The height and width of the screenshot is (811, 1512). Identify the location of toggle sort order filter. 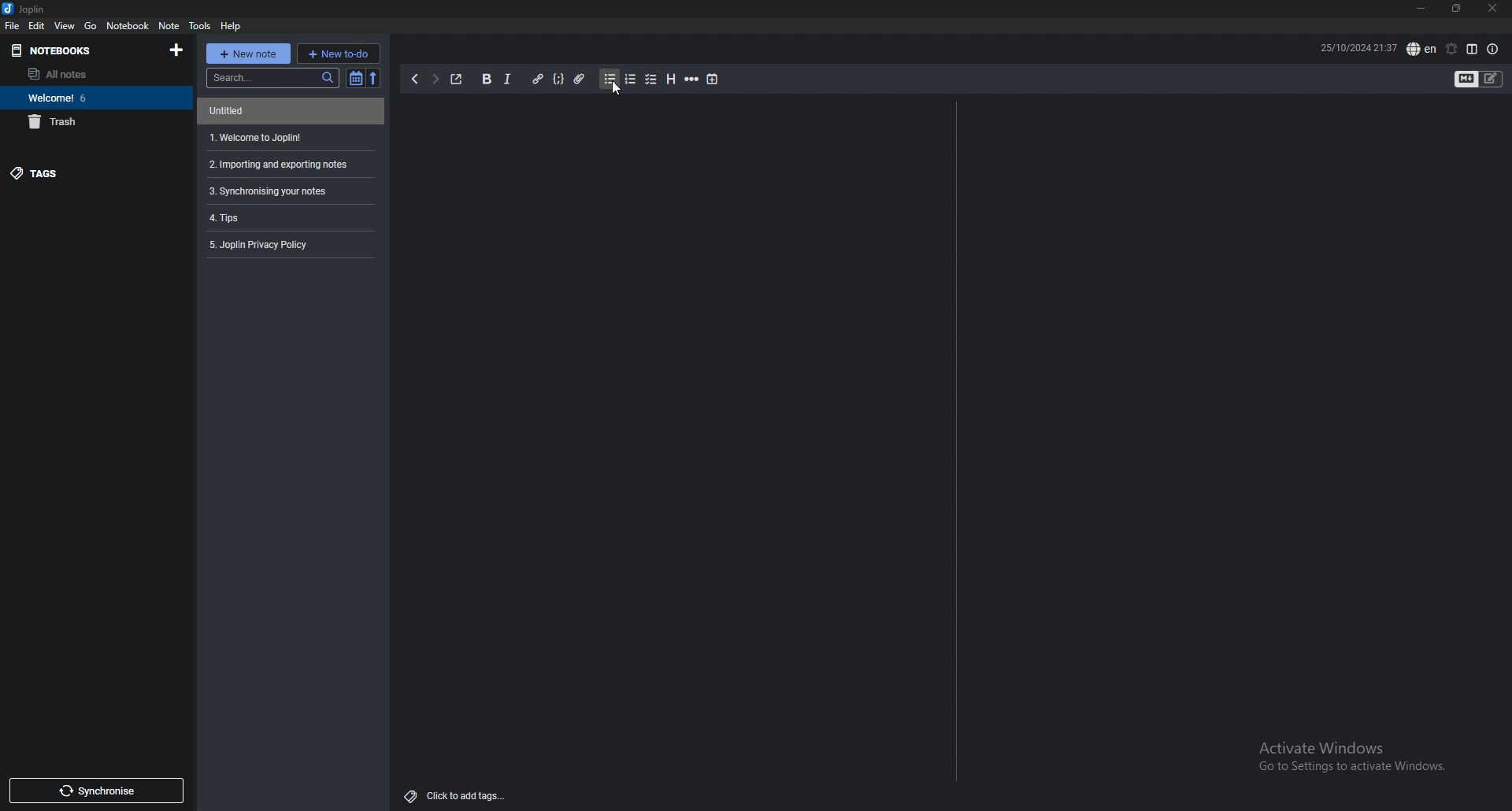
(351, 80).